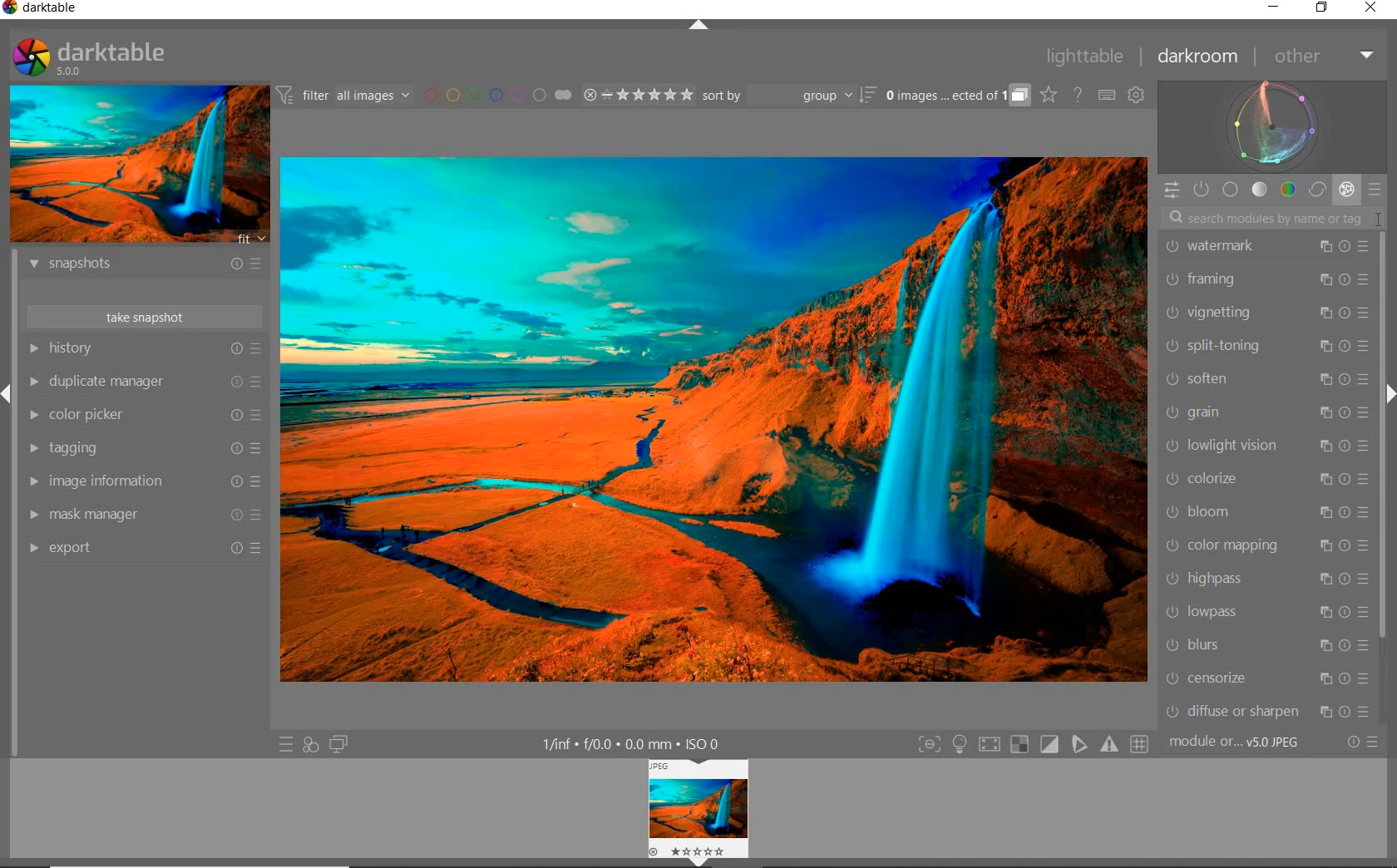 The width and height of the screenshot is (1397, 868). I want to click on DISPLAY A SECOND DARKROOM IMAGE WINDOW, so click(339, 744).